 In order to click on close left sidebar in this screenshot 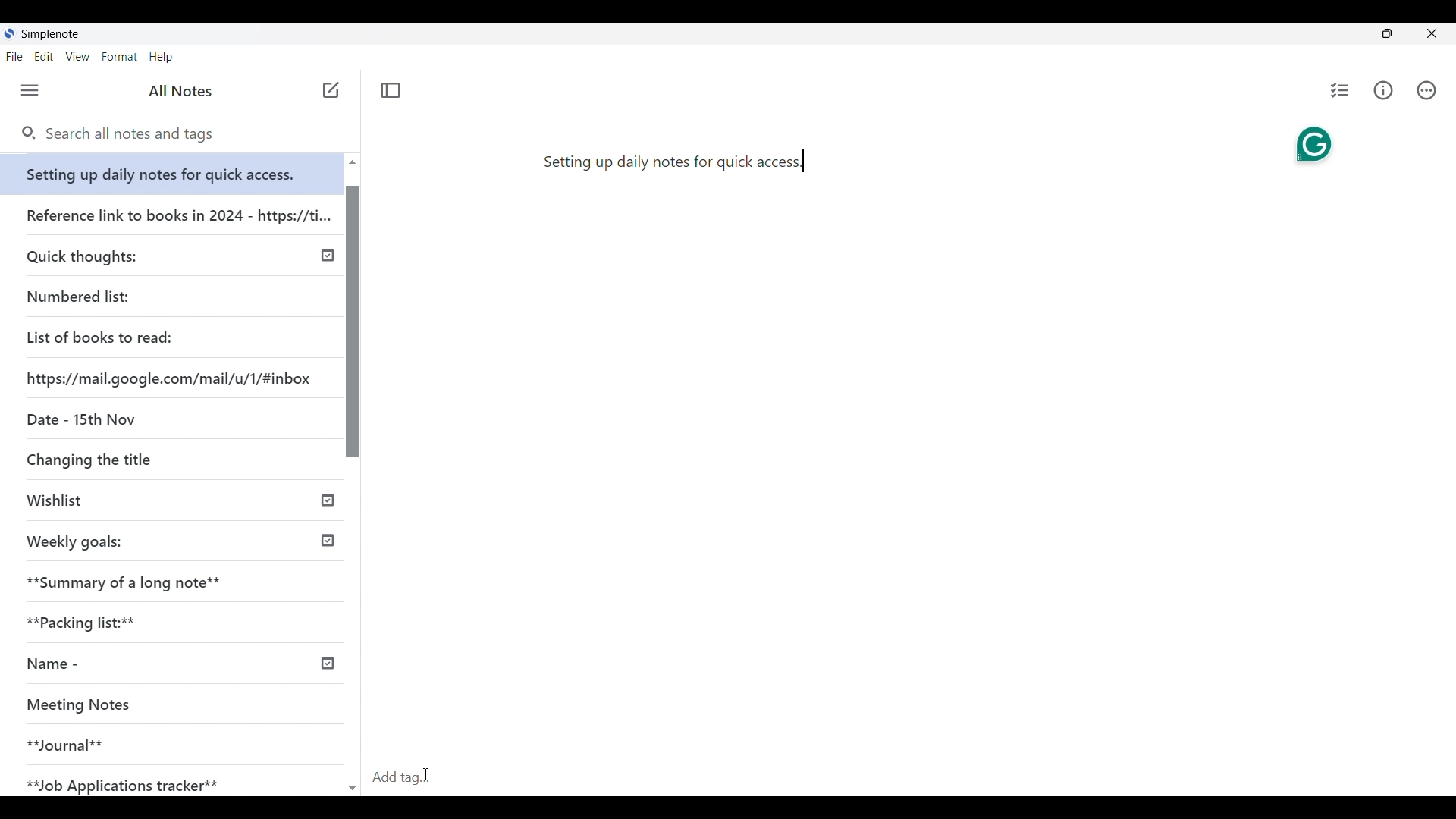, I will do `click(391, 91)`.